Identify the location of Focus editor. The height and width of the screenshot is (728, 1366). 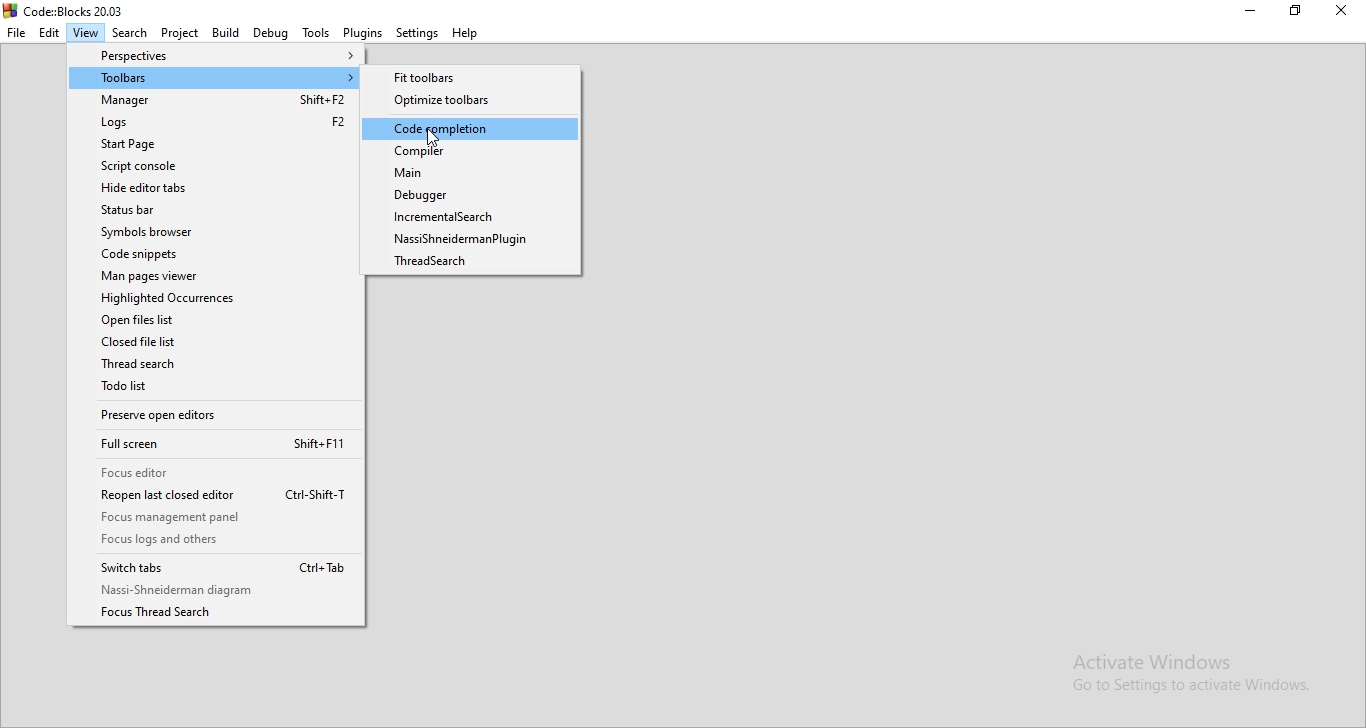
(215, 472).